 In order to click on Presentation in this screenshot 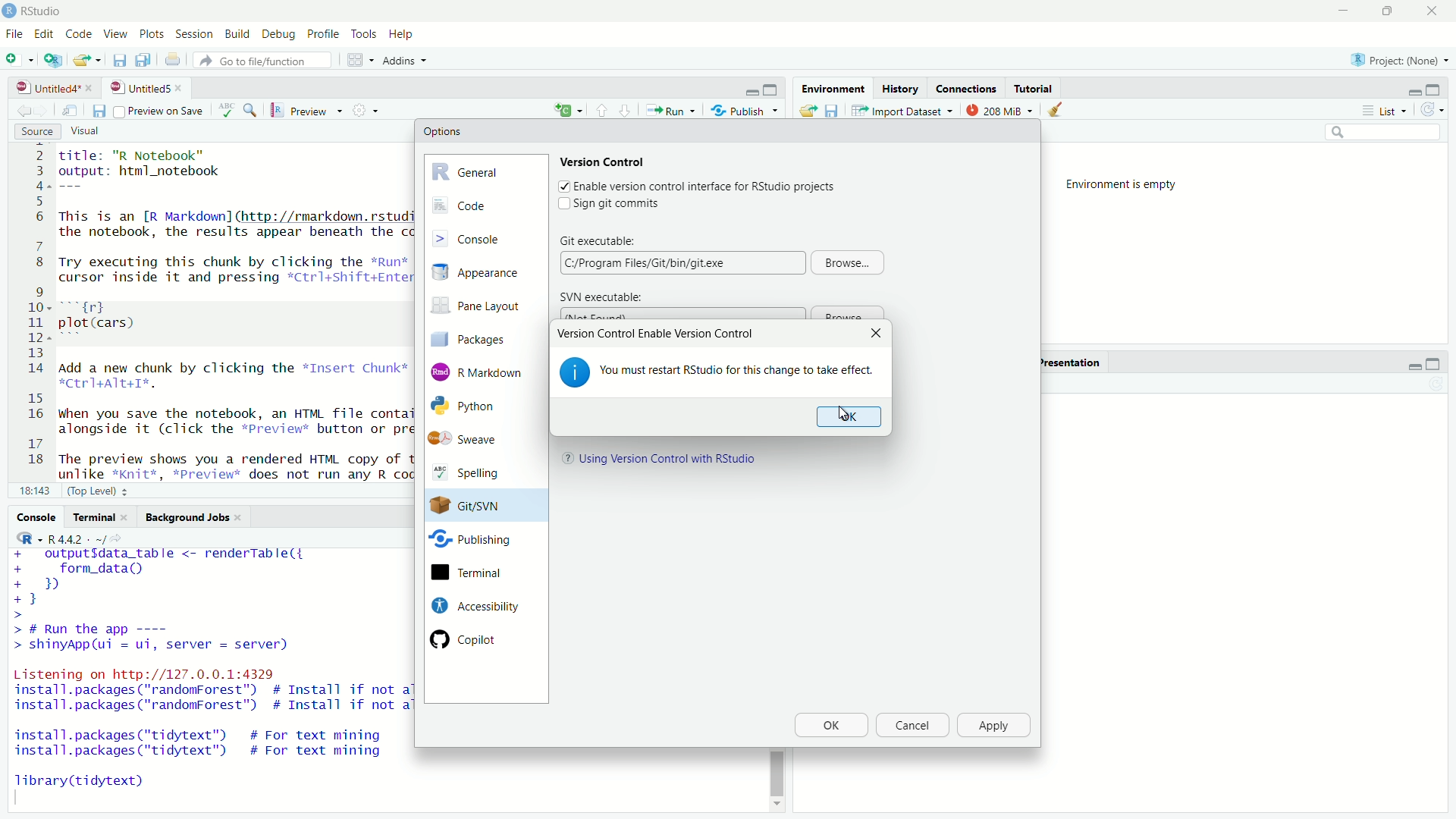, I will do `click(1069, 362)`.